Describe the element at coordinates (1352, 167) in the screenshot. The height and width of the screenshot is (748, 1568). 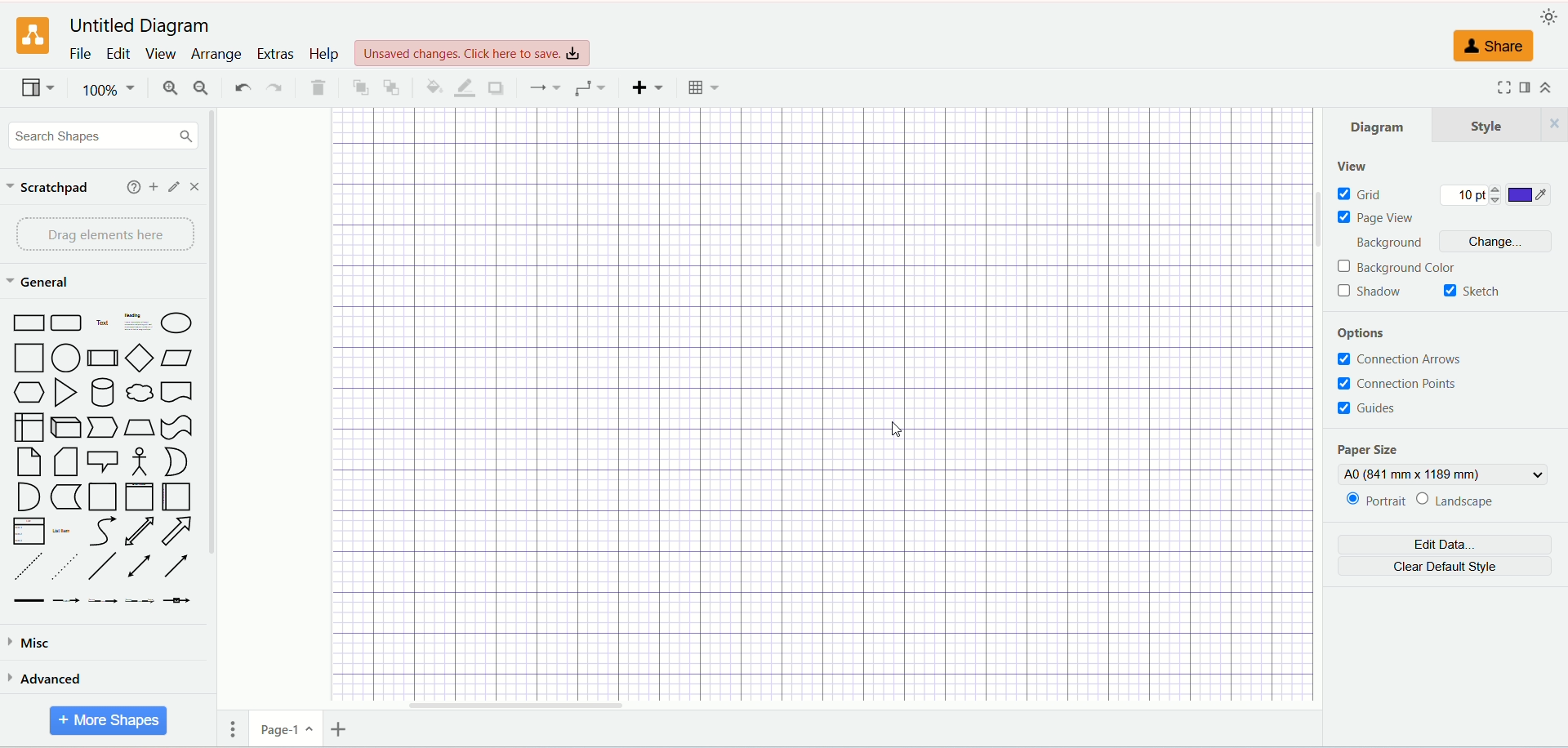
I see `view` at that location.